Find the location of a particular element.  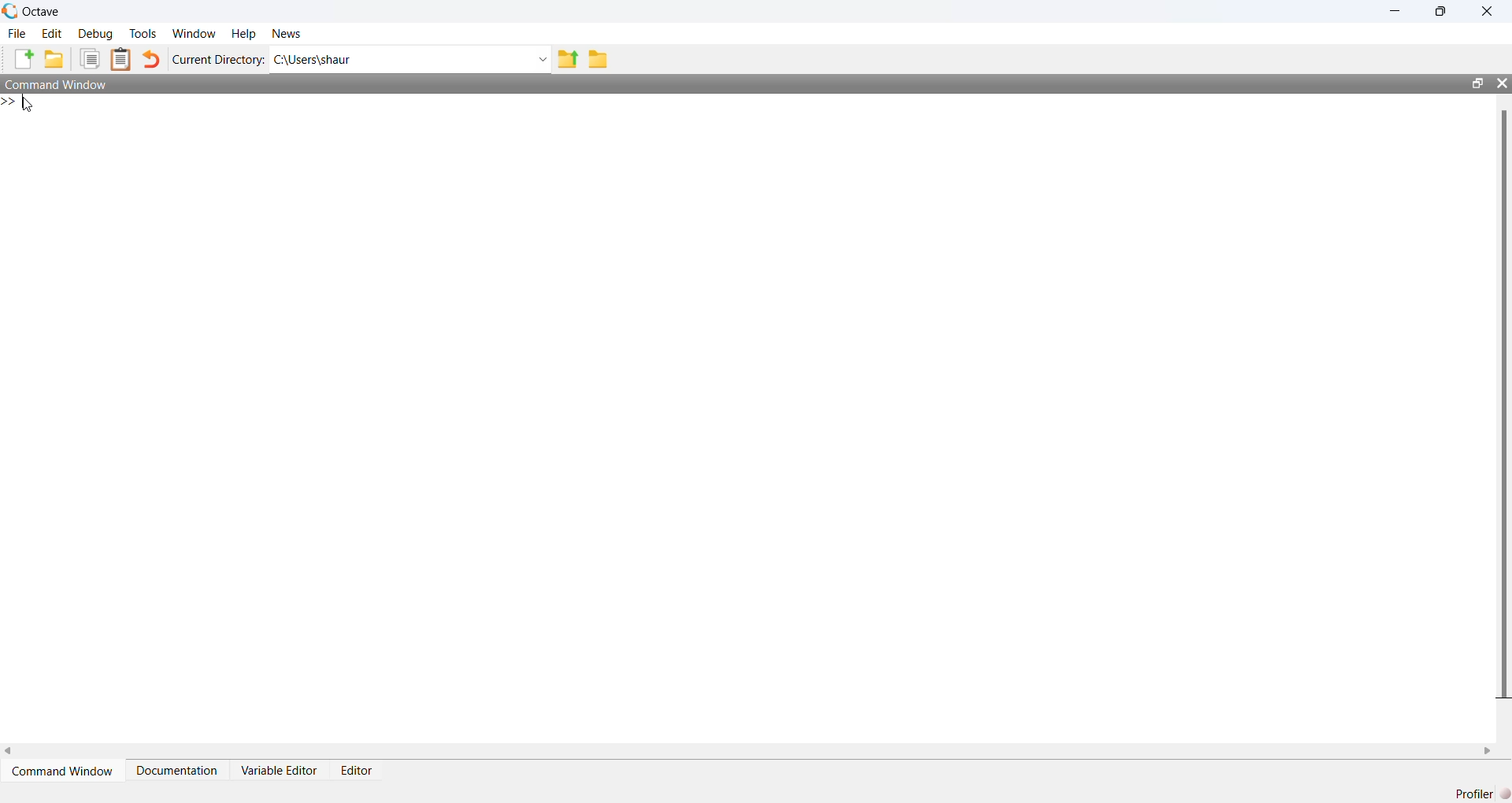

scroll left is located at coordinates (9, 751).